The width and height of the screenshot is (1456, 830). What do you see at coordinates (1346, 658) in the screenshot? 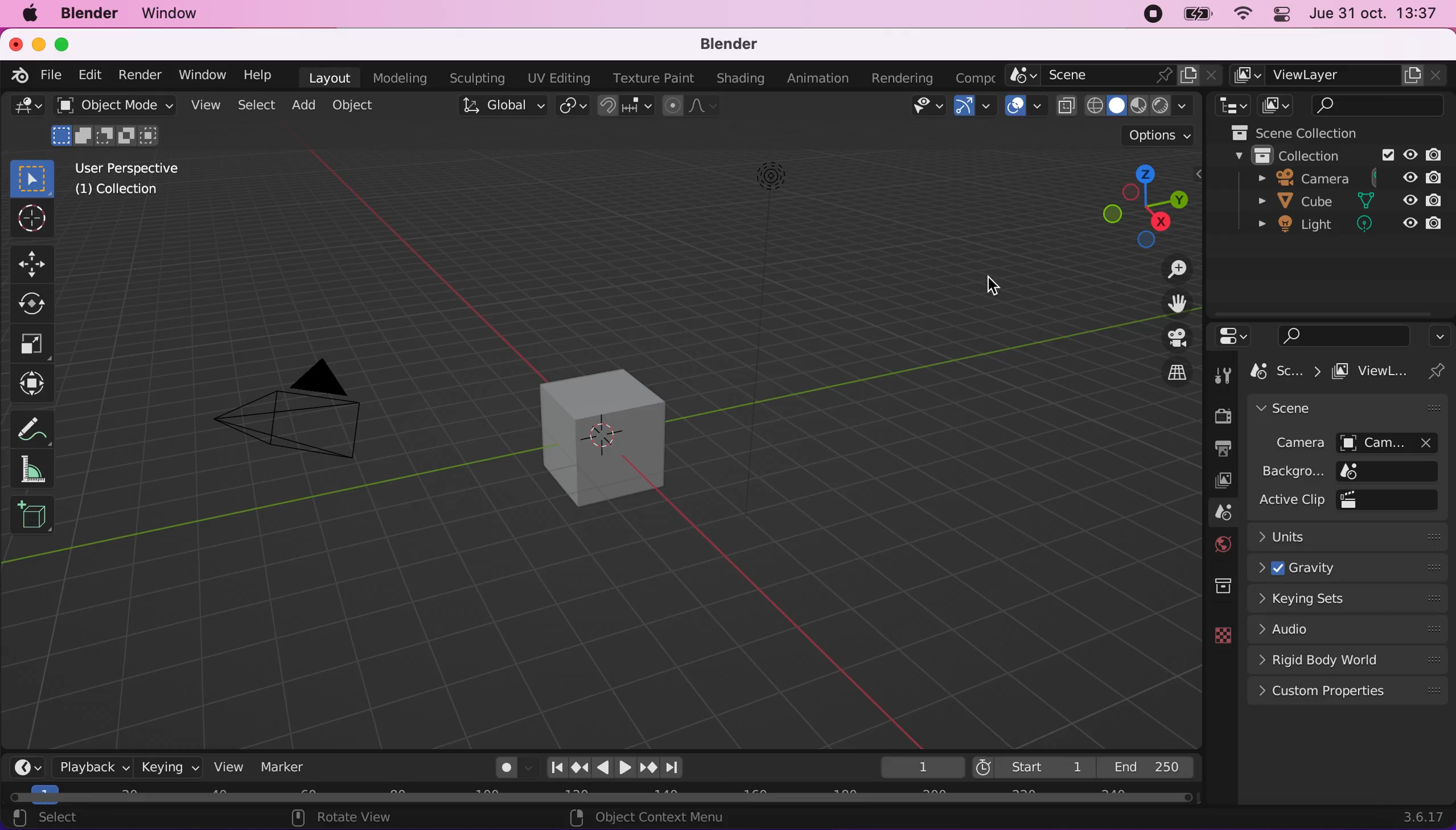
I see `rigid body world` at bounding box center [1346, 658].